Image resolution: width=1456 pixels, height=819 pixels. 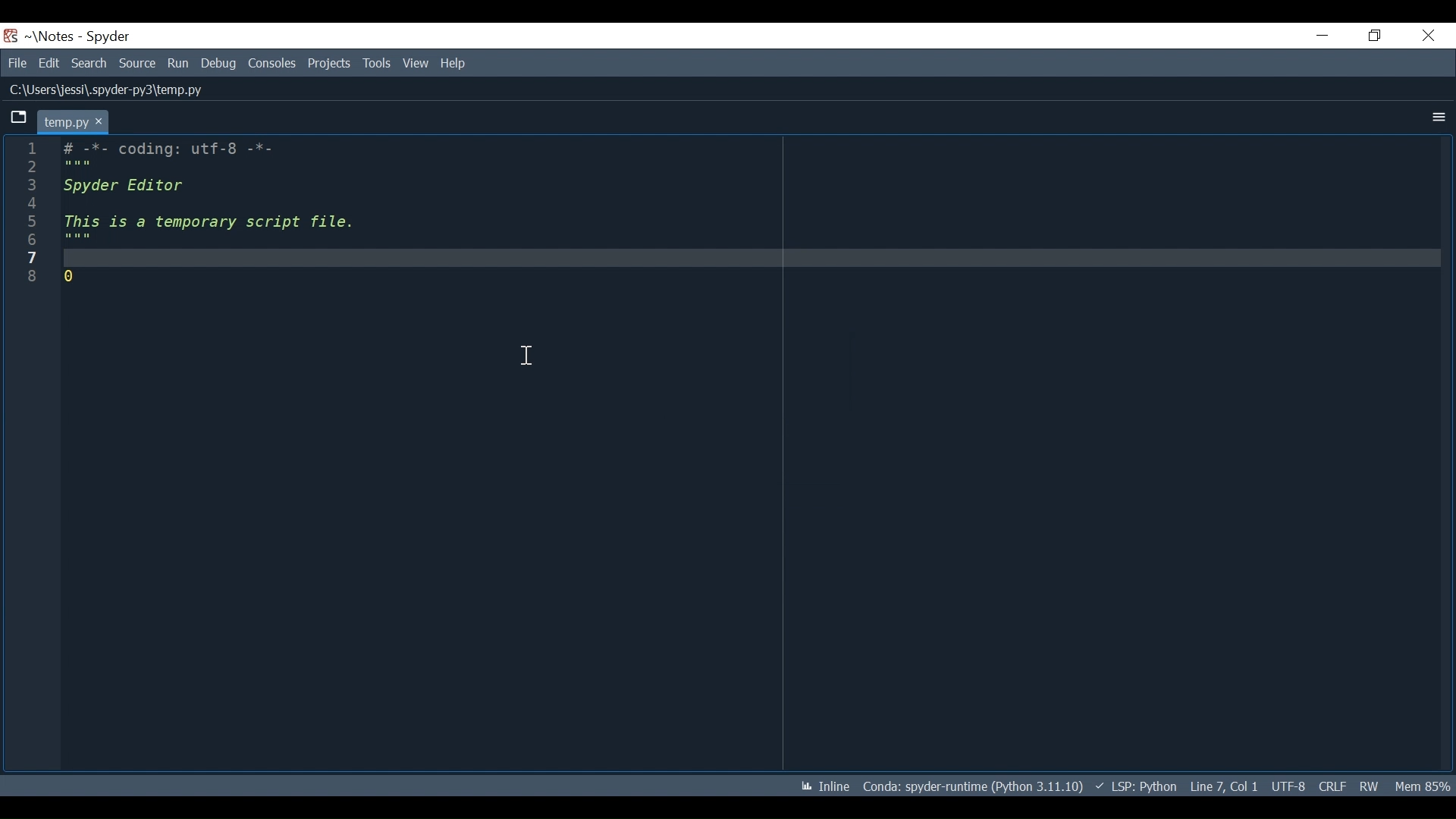 What do you see at coordinates (1323, 36) in the screenshot?
I see `Minimize` at bounding box center [1323, 36].